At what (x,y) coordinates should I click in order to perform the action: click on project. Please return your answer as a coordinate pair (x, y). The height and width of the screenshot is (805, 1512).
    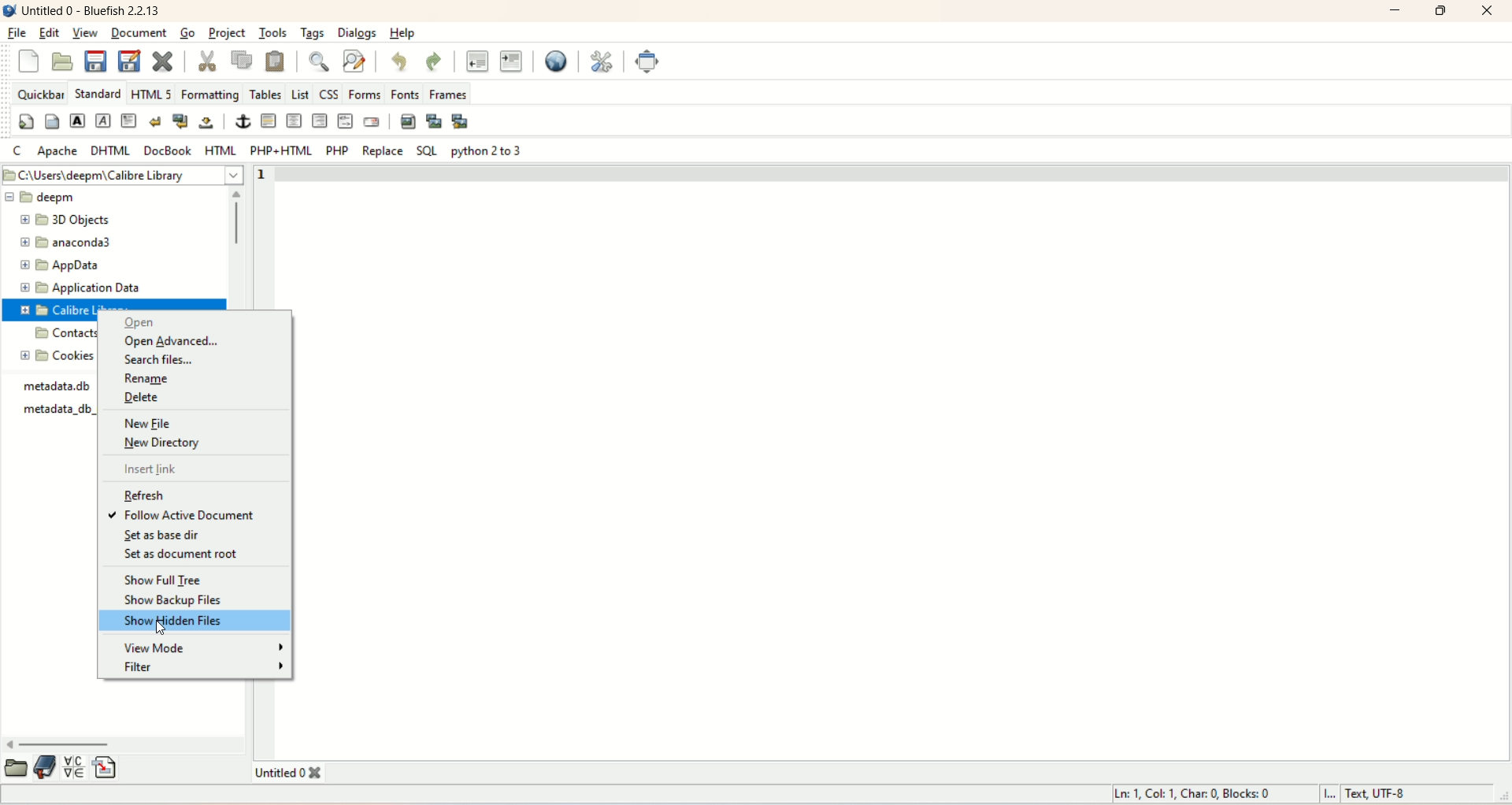
    Looking at the image, I should click on (229, 33).